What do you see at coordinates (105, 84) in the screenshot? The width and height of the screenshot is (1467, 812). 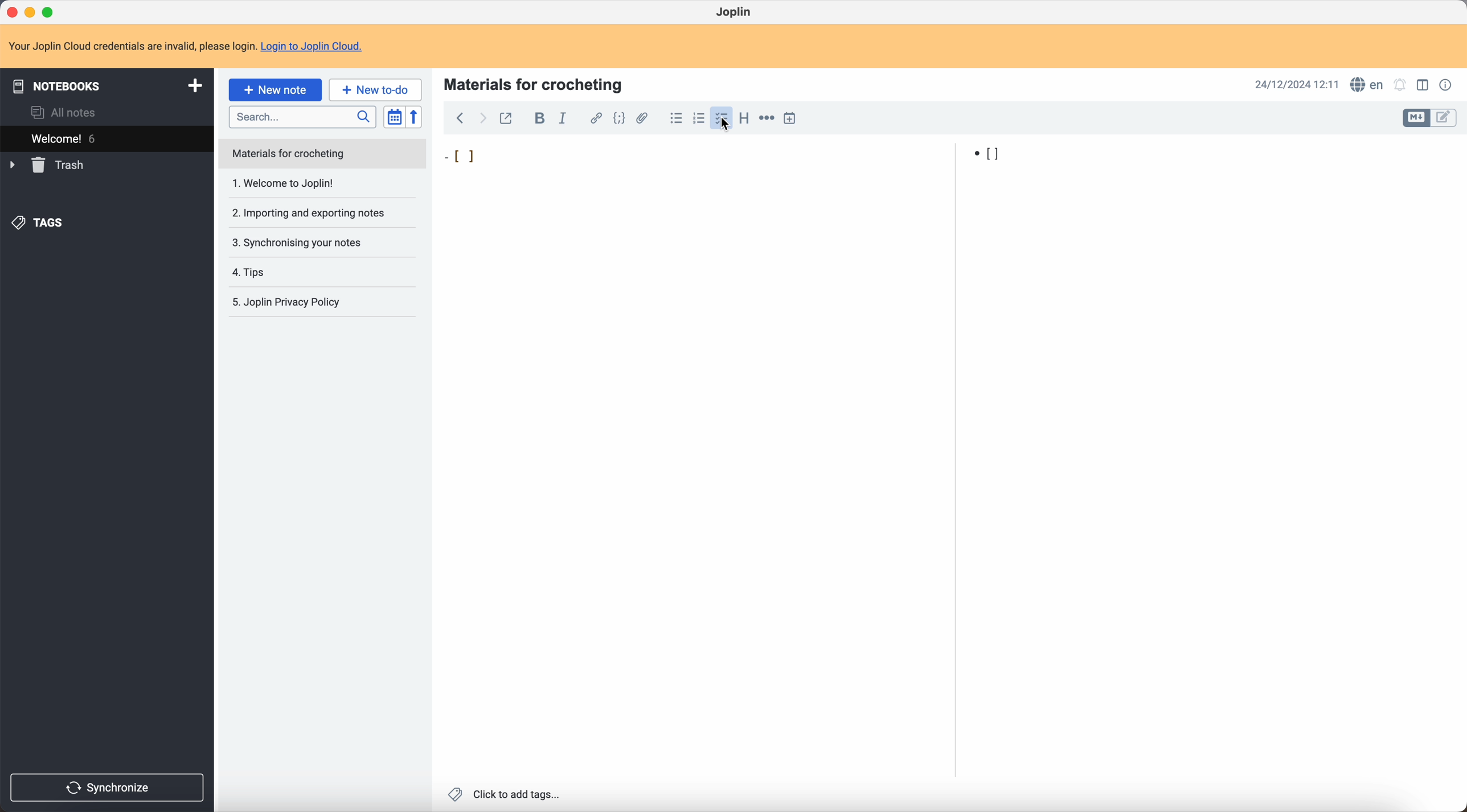 I see `notebooks` at bounding box center [105, 84].